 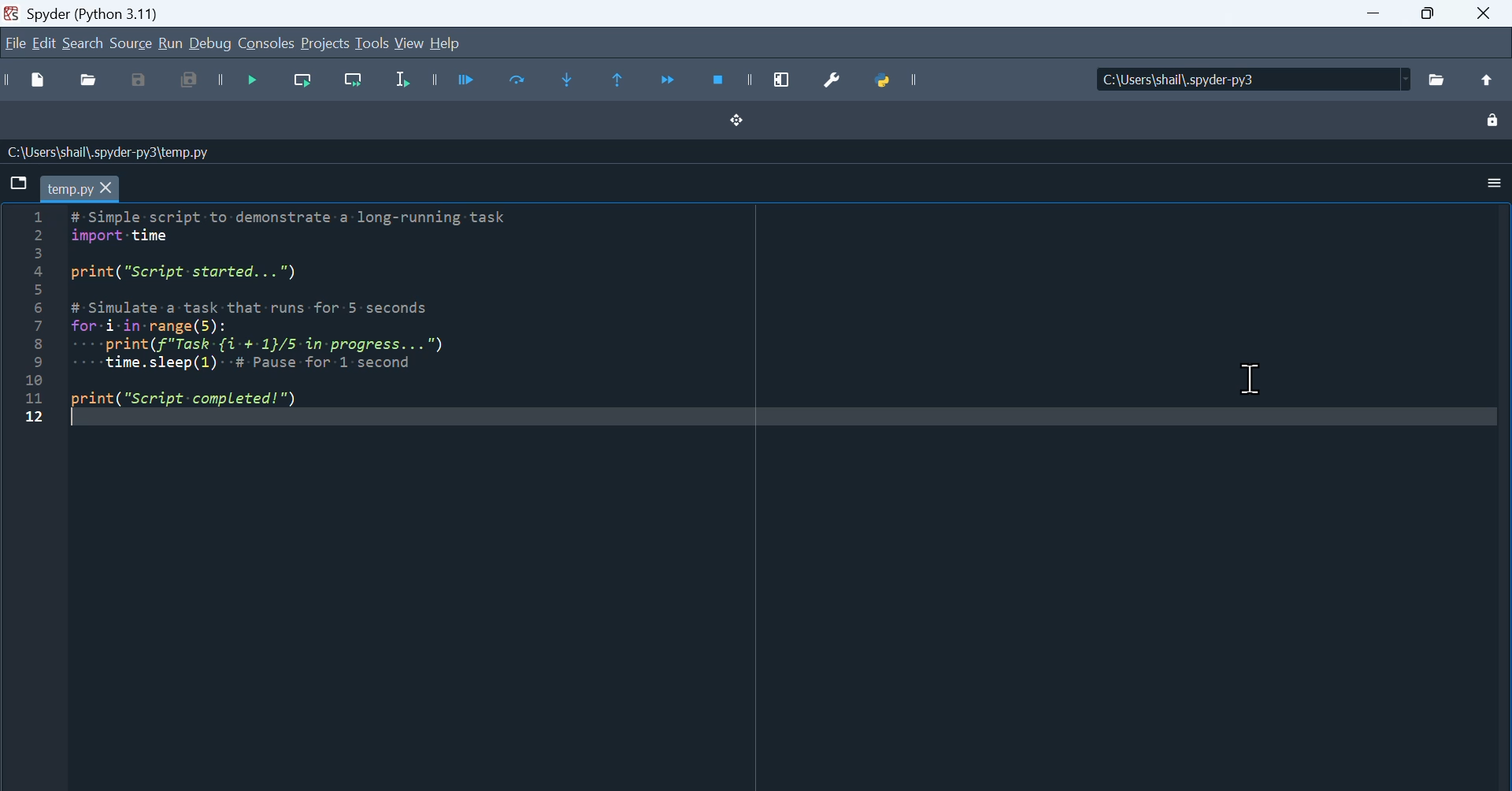 What do you see at coordinates (89, 80) in the screenshot?
I see `Open file` at bounding box center [89, 80].